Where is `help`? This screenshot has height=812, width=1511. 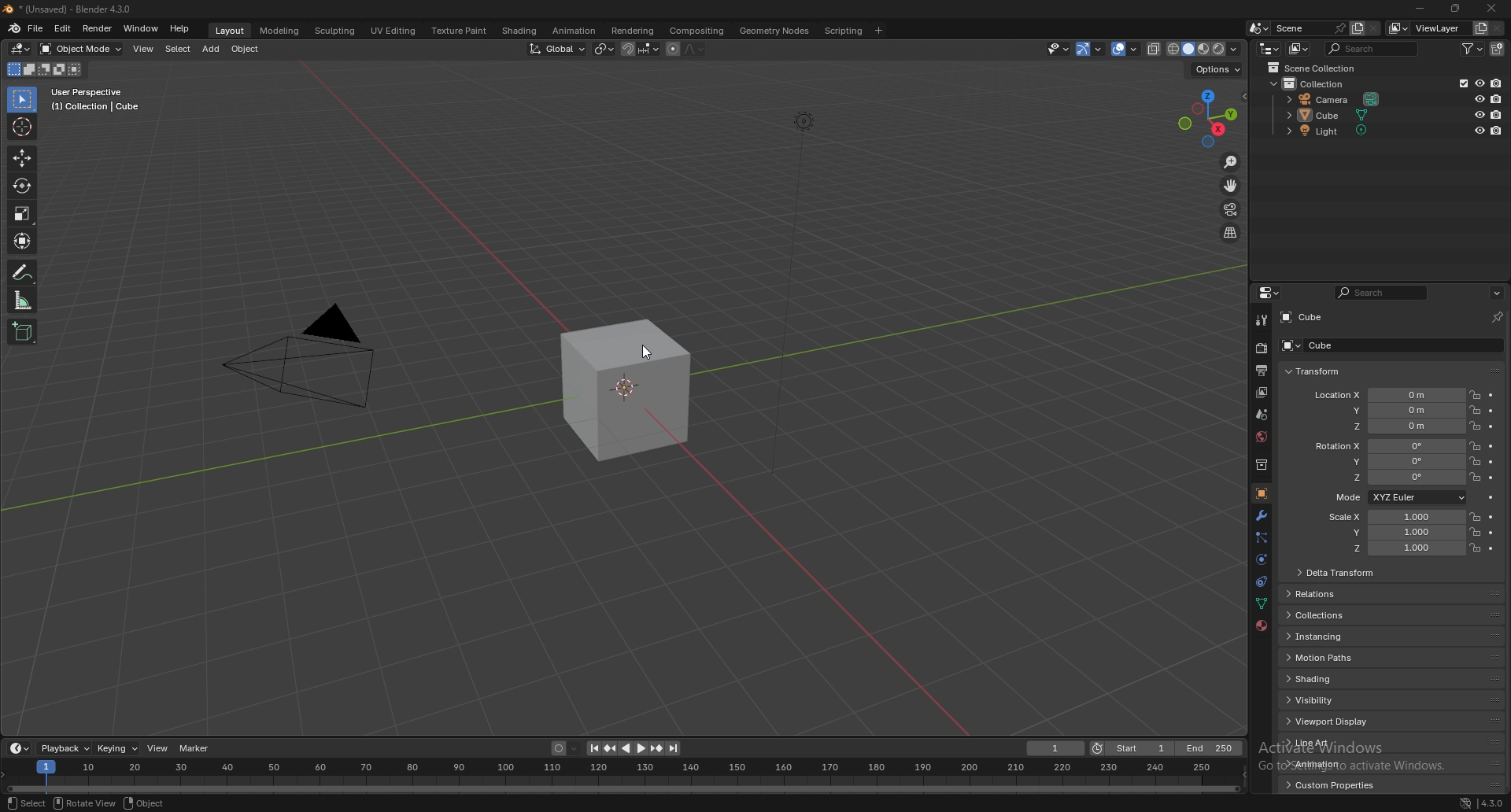
help is located at coordinates (180, 28).